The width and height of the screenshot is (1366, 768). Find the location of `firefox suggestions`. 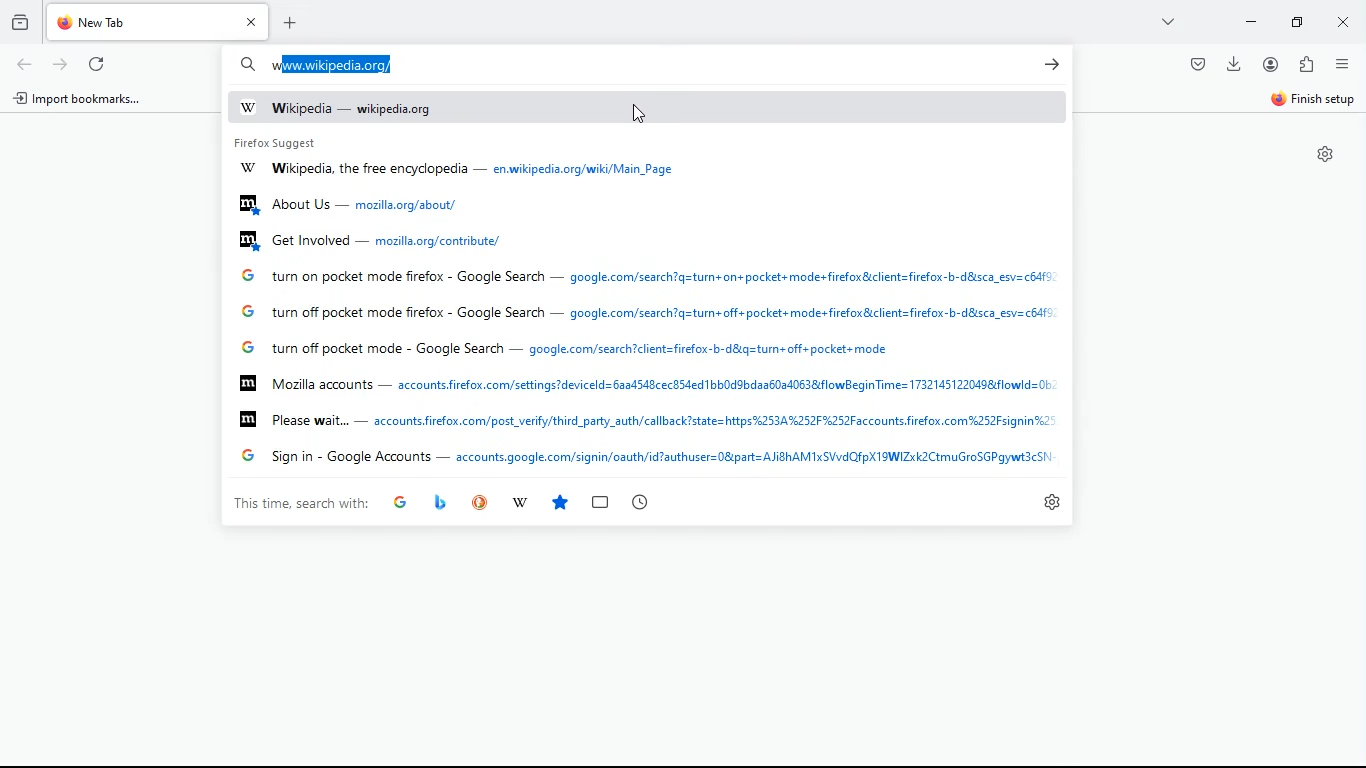

firefox suggestions is located at coordinates (645, 420).